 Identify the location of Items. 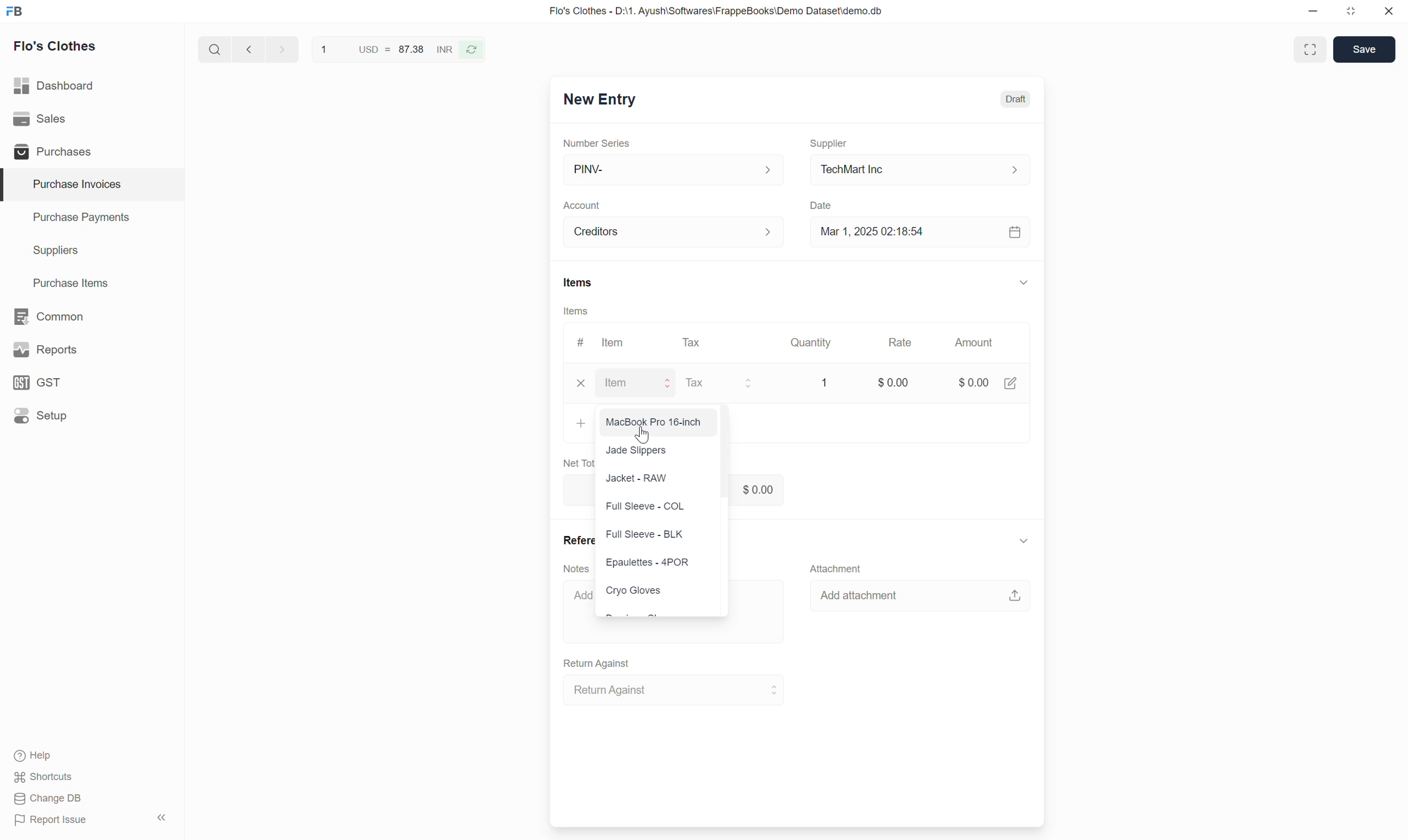
(579, 282).